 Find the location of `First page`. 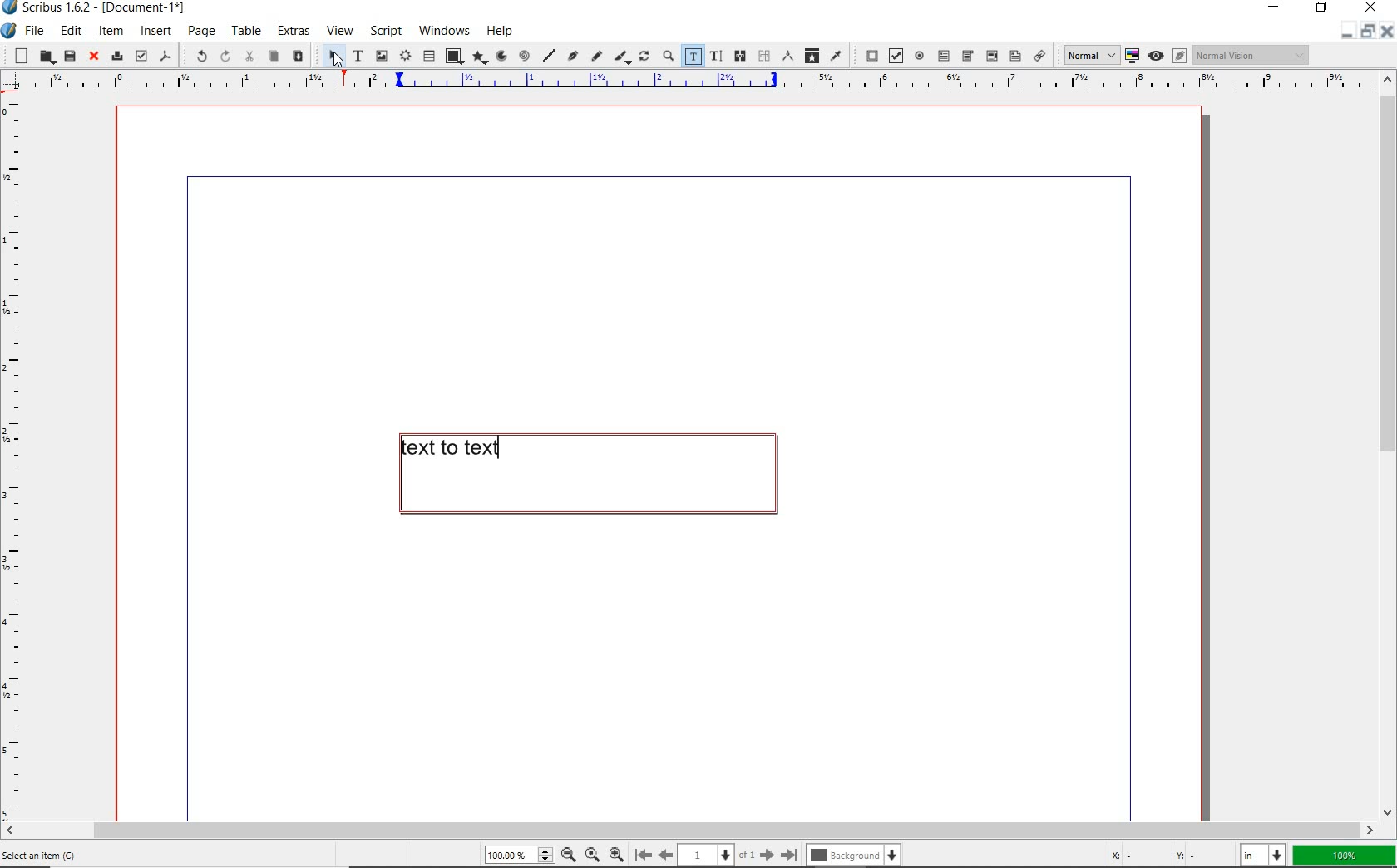

First page is located at coordinates (642, 856).